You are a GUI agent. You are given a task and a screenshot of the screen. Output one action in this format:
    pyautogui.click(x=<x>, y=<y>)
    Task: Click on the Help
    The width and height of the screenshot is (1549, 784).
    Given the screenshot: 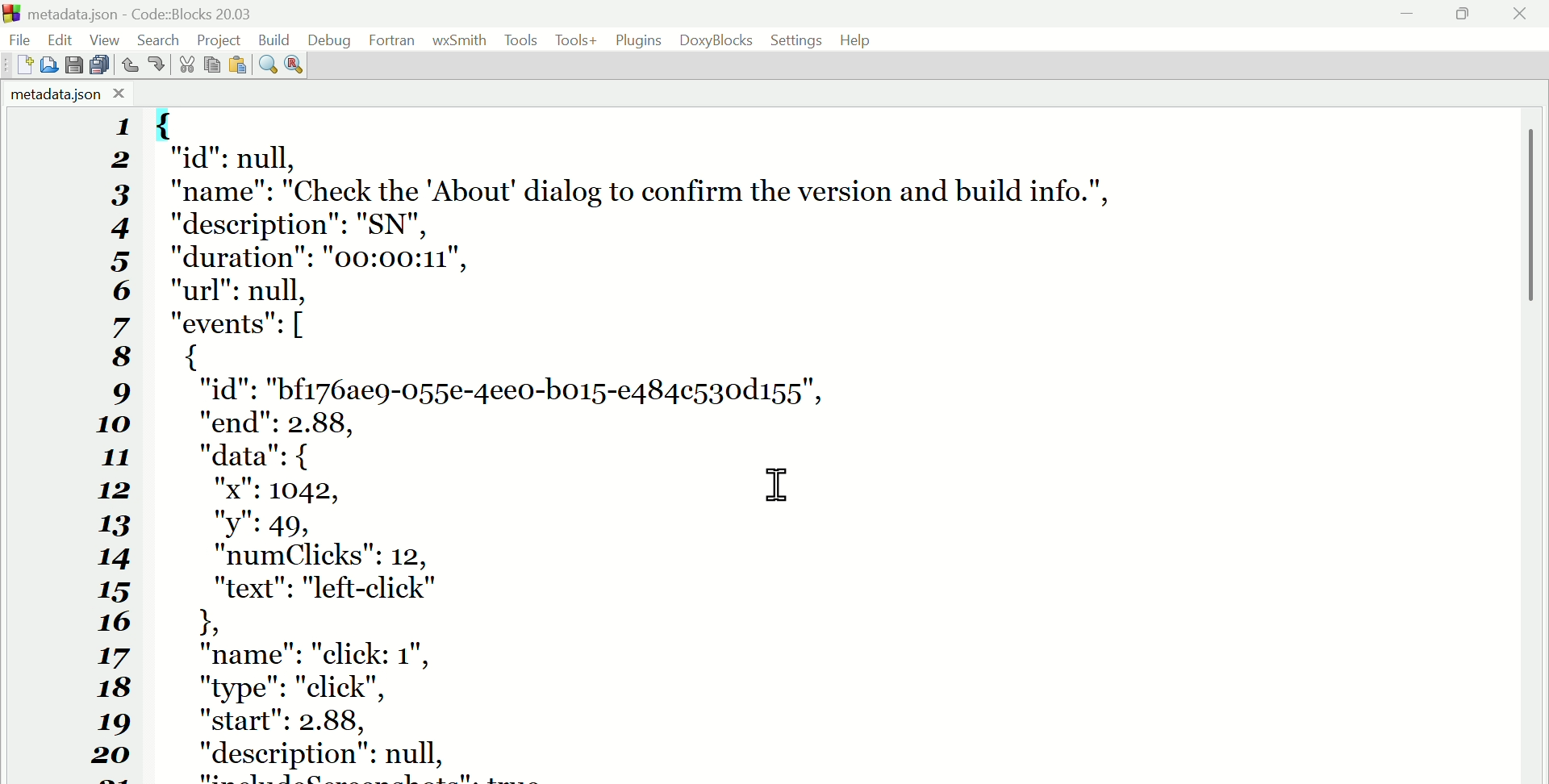 What is the action you would take?
    pyautogui.click(x=860, y=40)
    